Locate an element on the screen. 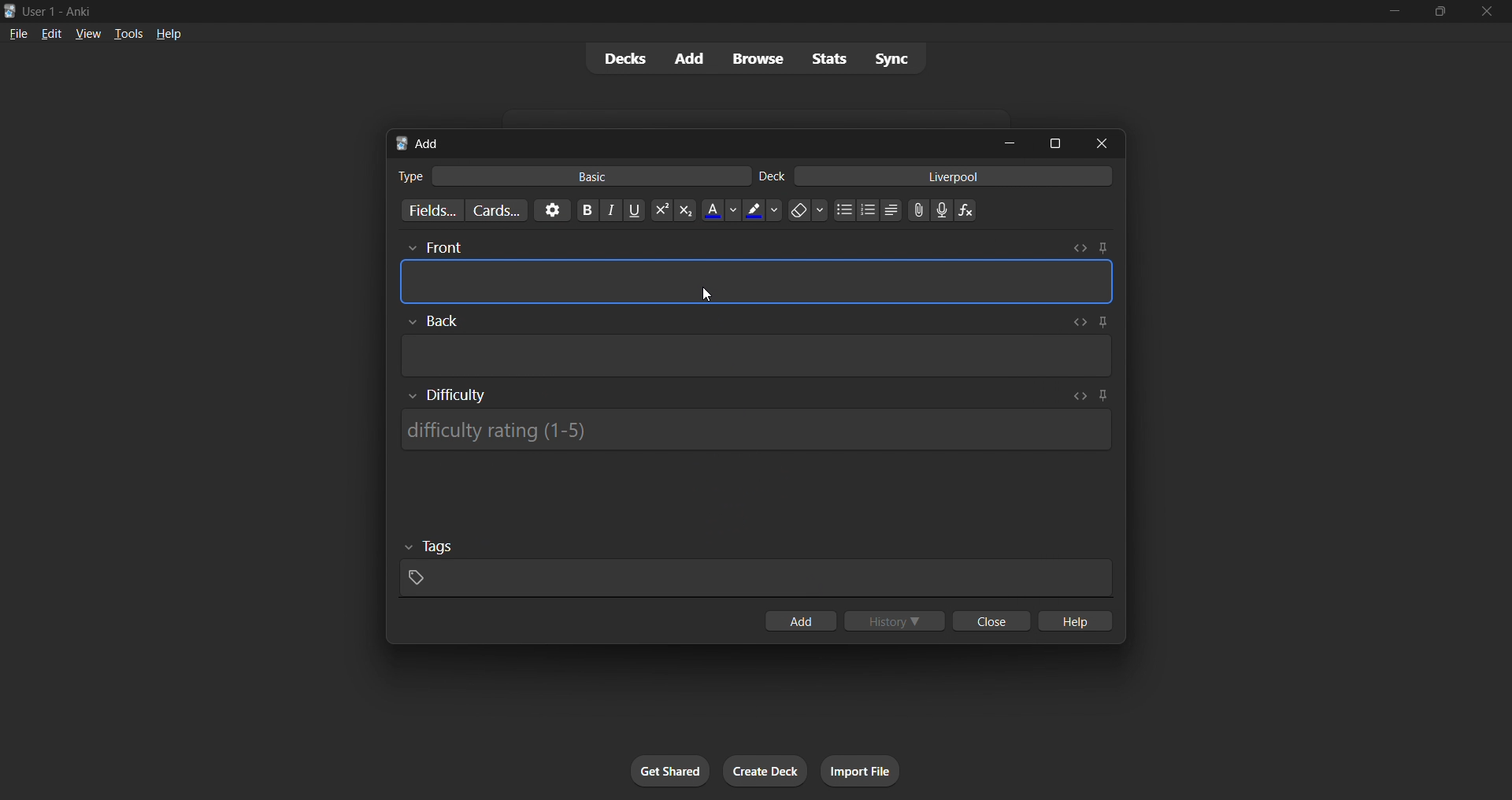 This screenshot has width=1512, height=800. close is located at coordinates (1487, 12).